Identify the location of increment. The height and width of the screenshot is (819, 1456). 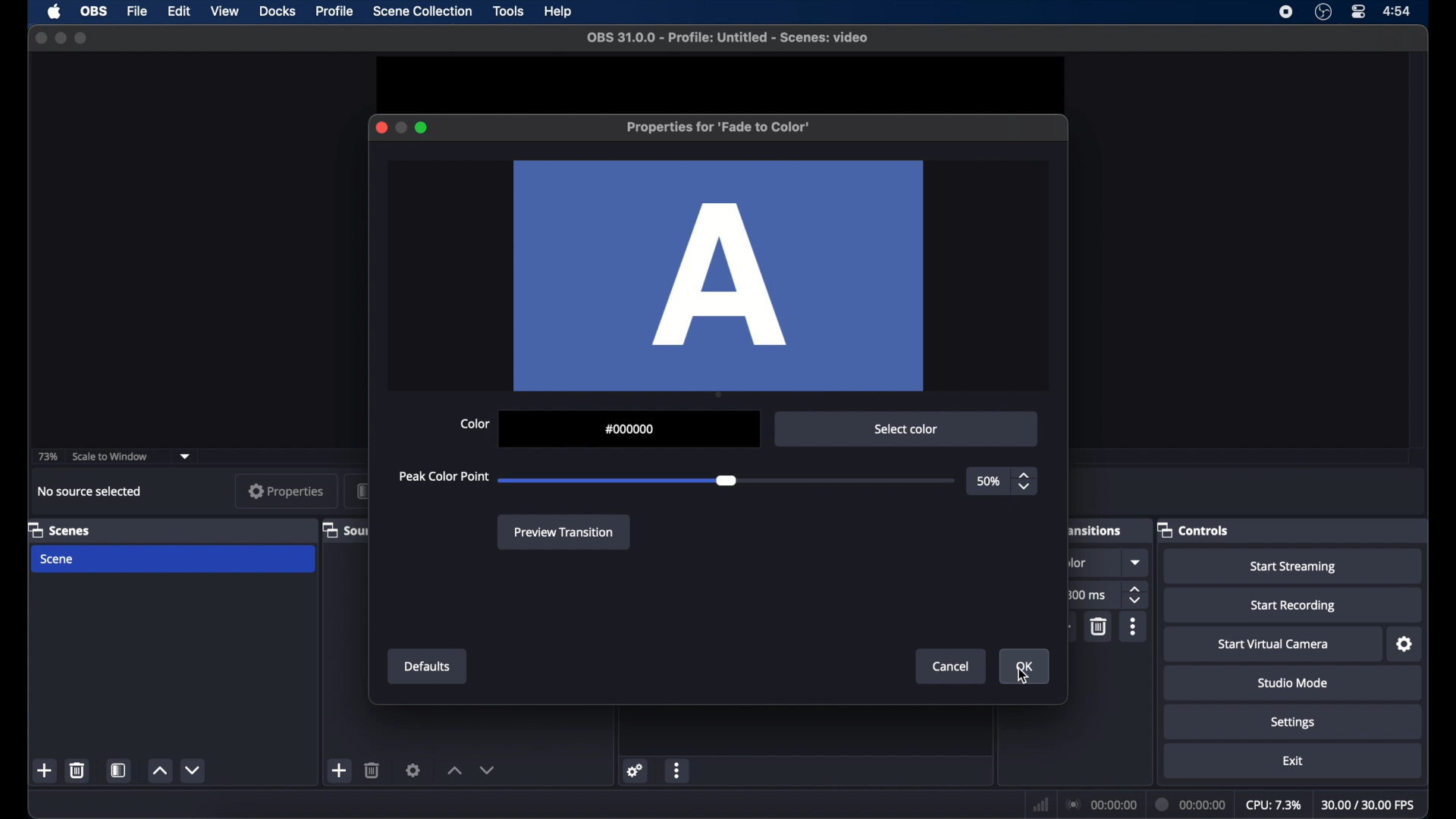
(158, 771).